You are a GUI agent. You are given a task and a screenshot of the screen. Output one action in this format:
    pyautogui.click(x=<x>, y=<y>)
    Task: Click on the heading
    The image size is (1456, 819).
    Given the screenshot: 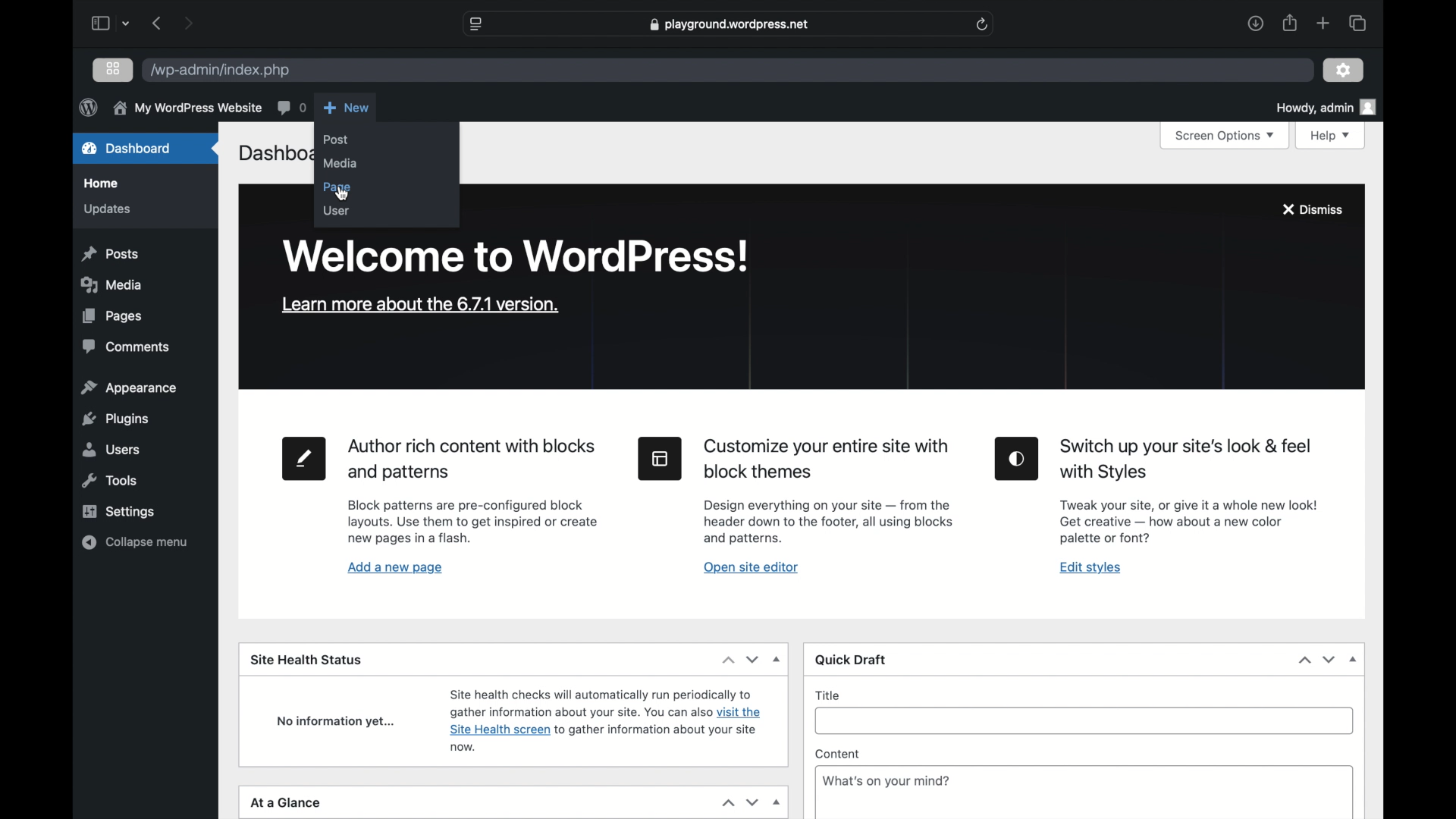 What is the action you would take?
    pyautogui.click(x=827, y=460)
    